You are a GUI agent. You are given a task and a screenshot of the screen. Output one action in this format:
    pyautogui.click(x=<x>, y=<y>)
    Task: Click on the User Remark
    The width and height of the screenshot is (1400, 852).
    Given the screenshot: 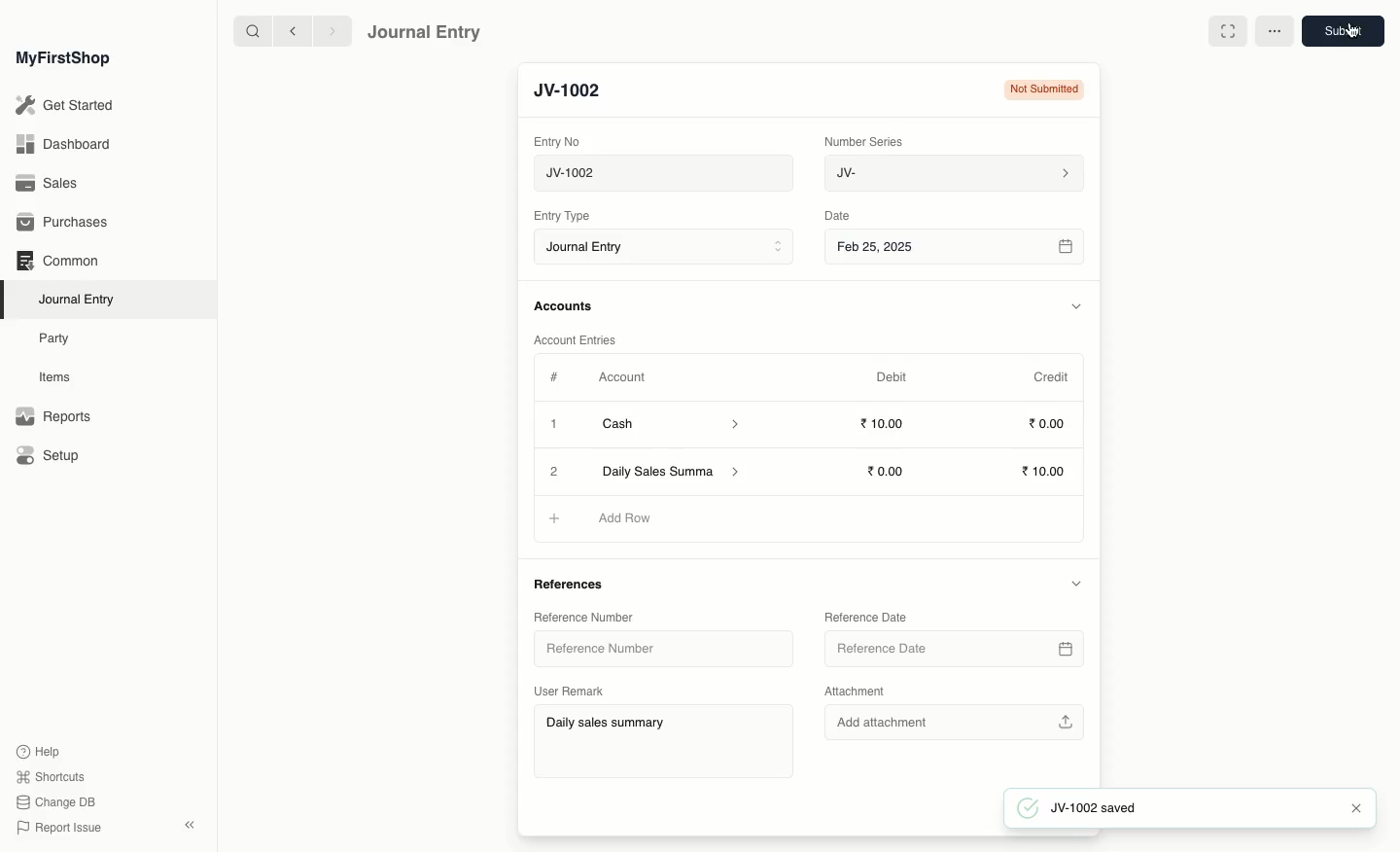 What is the action you would take?
    pyautogui.click(x=573, y=689)
    